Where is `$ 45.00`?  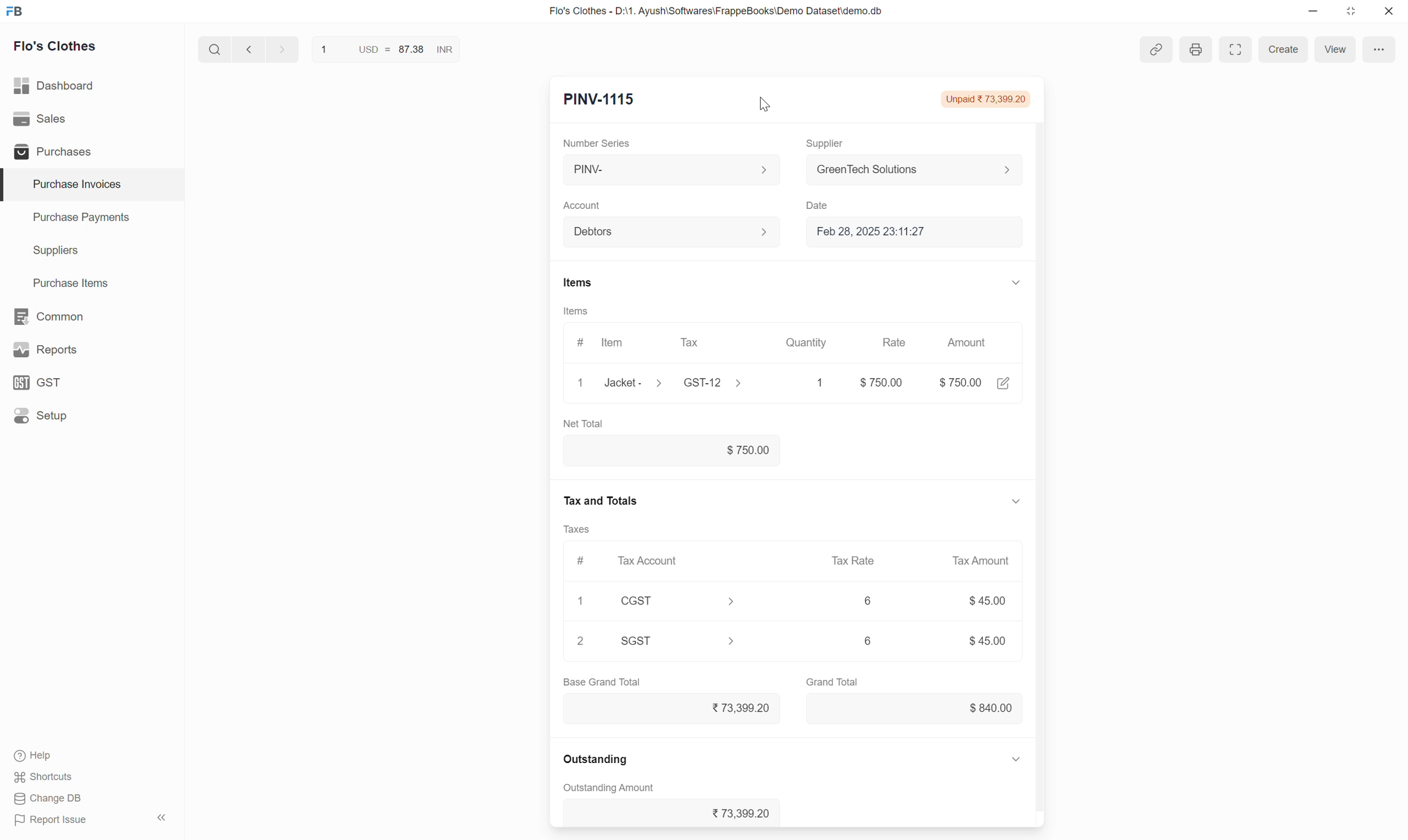
$ 45.00 is located at coordinates (987, 601).